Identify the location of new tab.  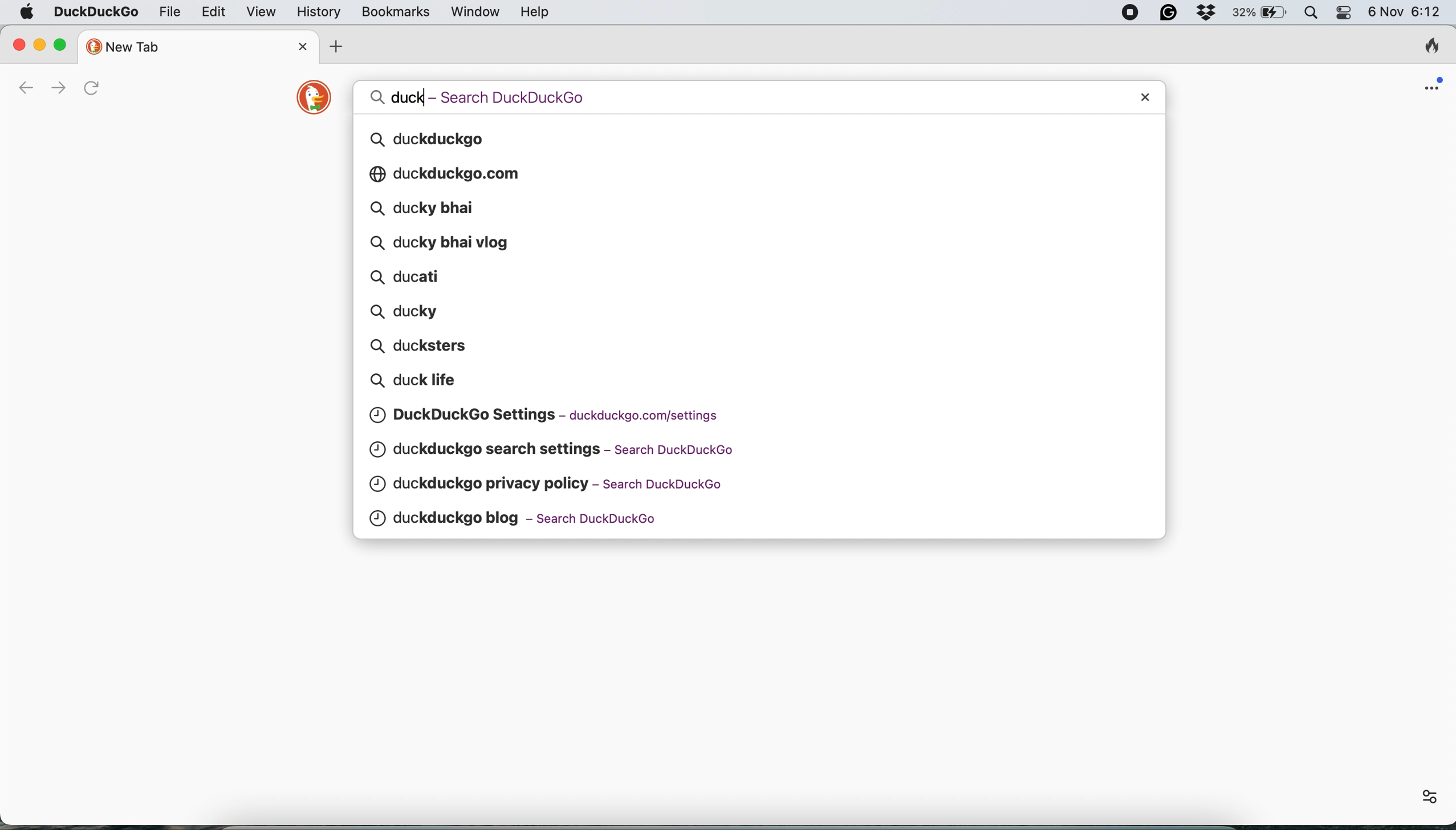
(186, 46).